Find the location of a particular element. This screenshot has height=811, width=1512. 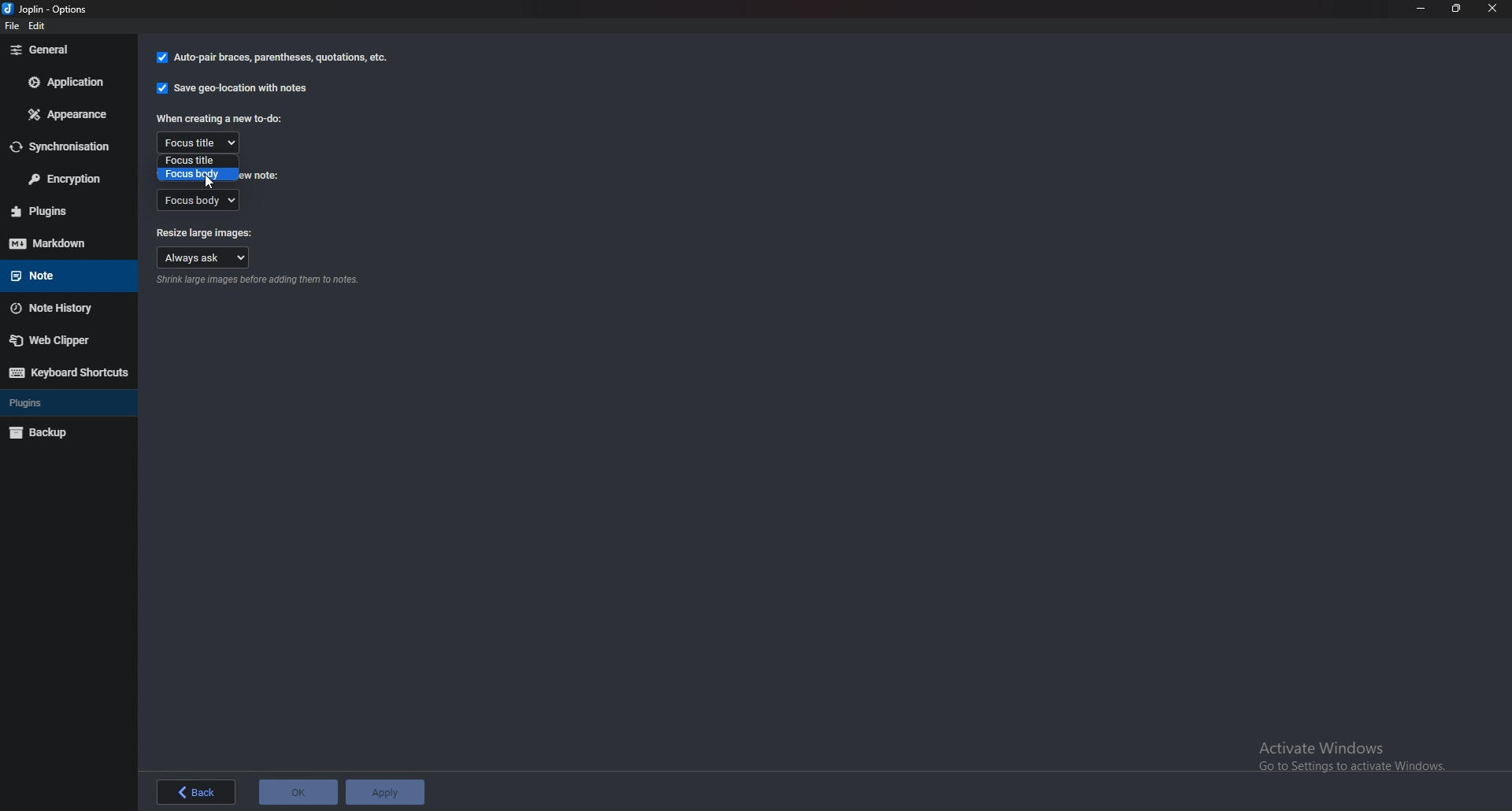

Application is located at coordinates (68, 82).